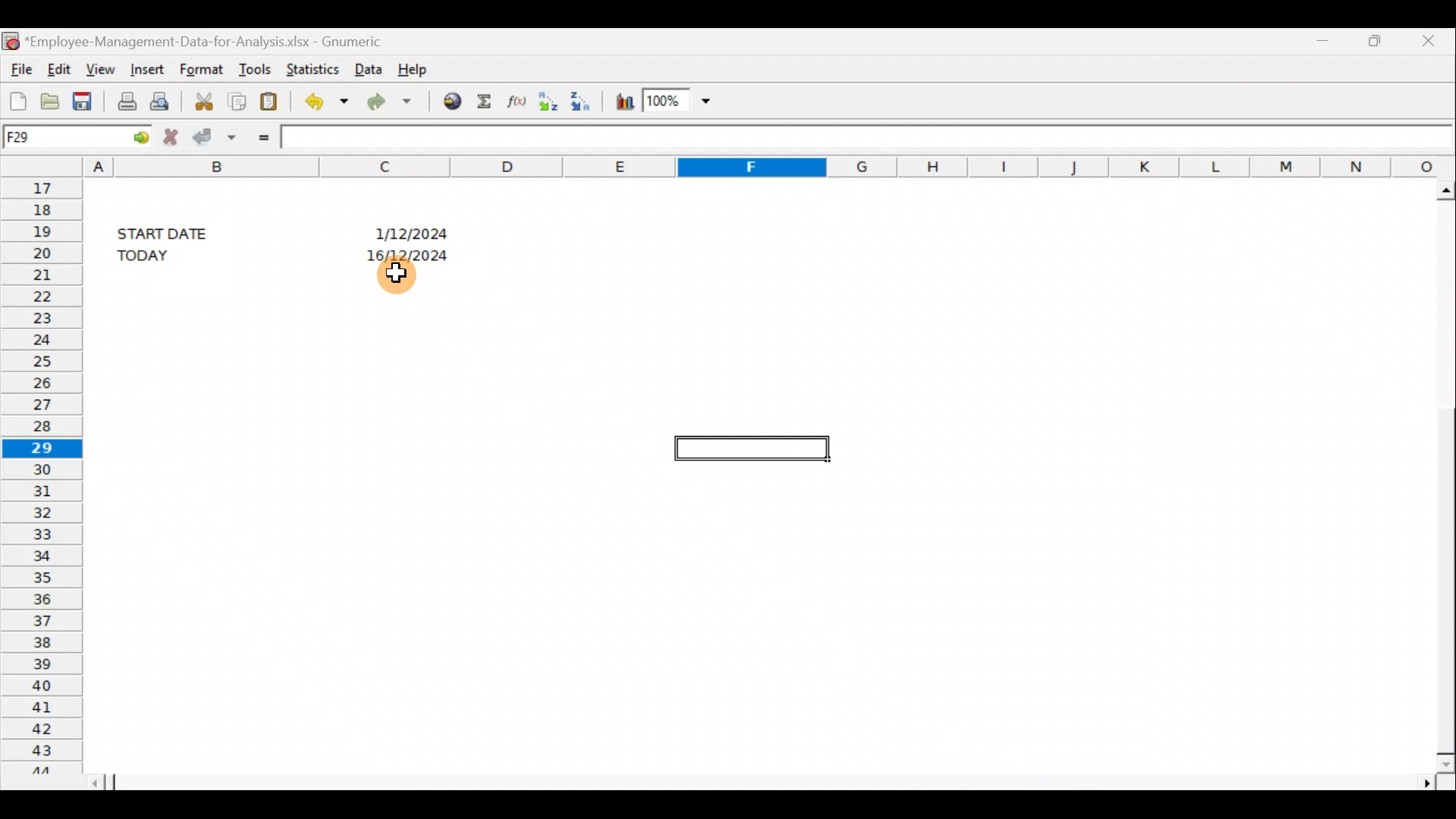  Describe the element at coordinates (323, 99) in the screenshot. I see `Undo last action` at that location.